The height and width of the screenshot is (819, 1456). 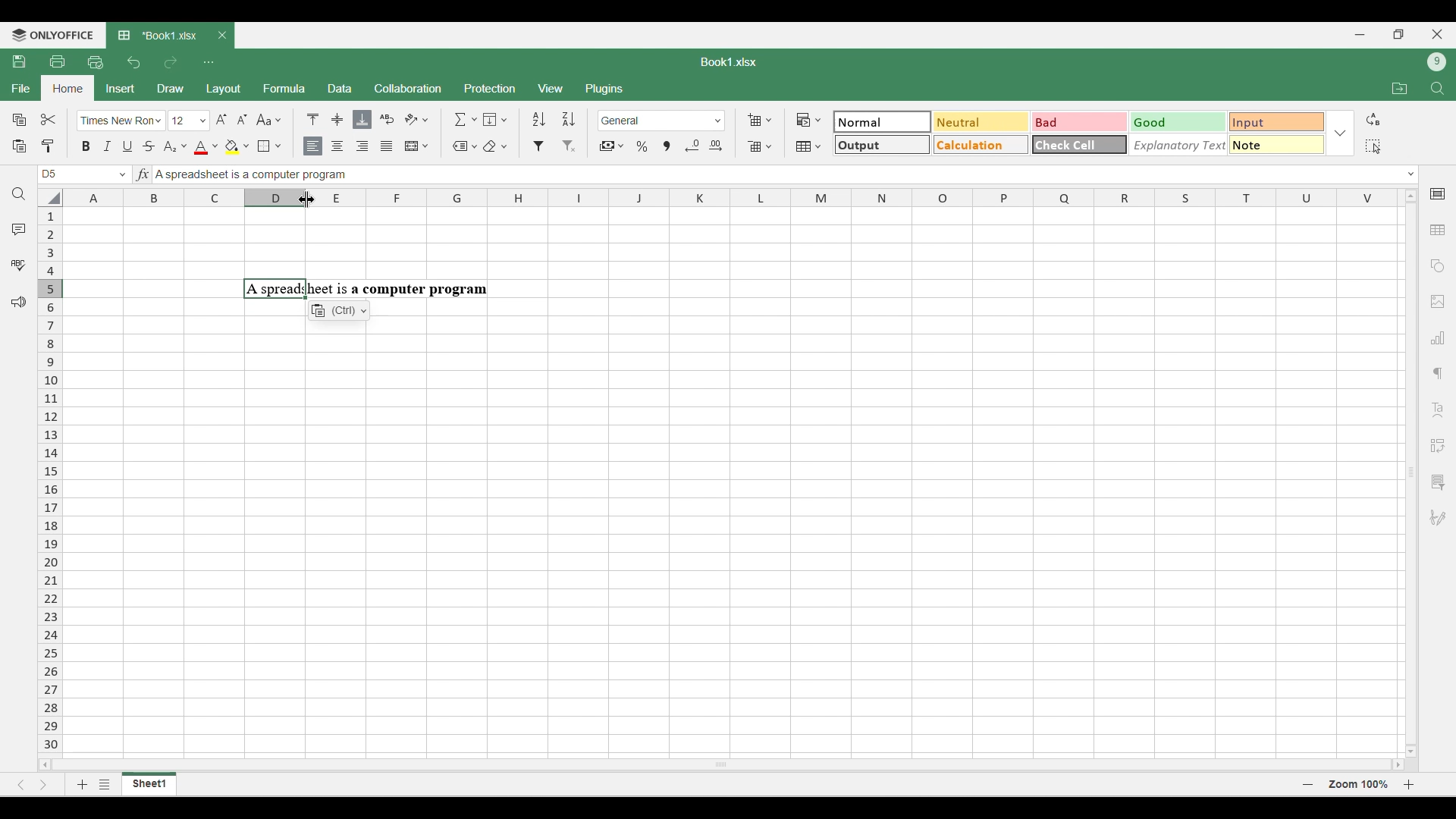 What do you see at coordinates (722, 762) in the screenshot?
I see `Horizontal slide bar` at bounding box center [722, 762].